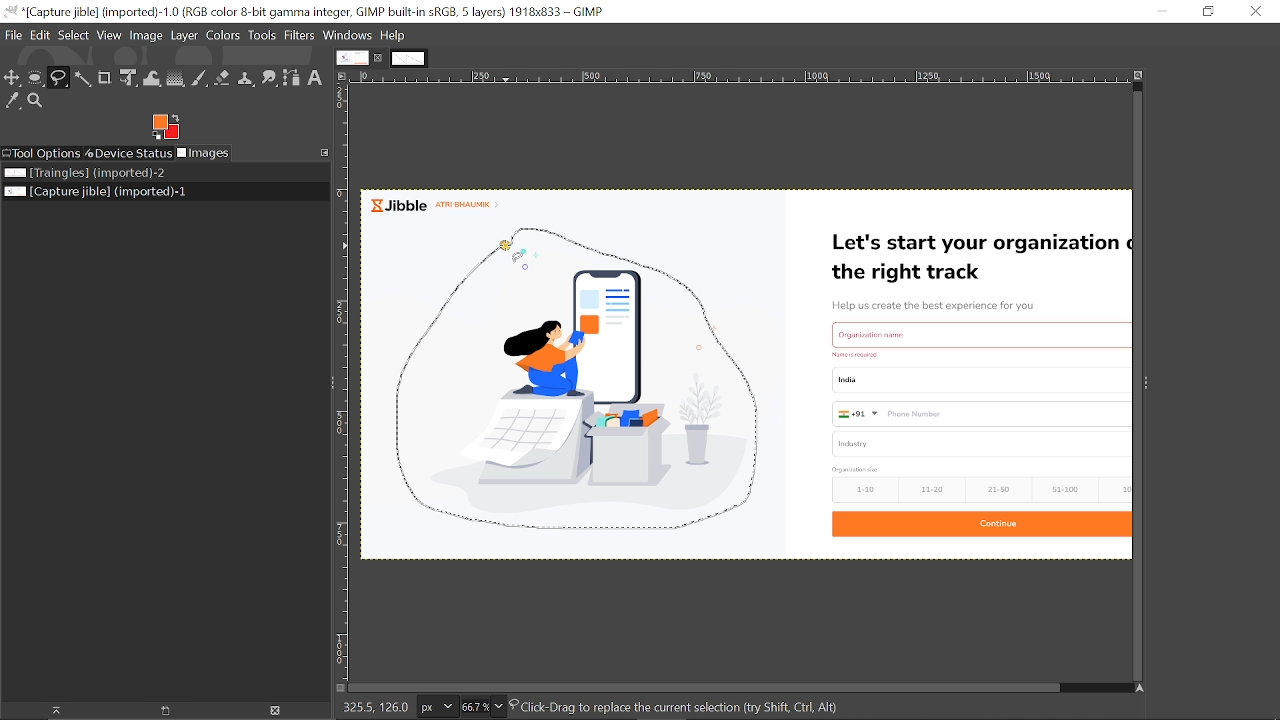 The height and width of the screenshot is (720, 1280). Describe the element at coordinates (269, 79) in the screenshot. I see `Smudge tool` at that location.